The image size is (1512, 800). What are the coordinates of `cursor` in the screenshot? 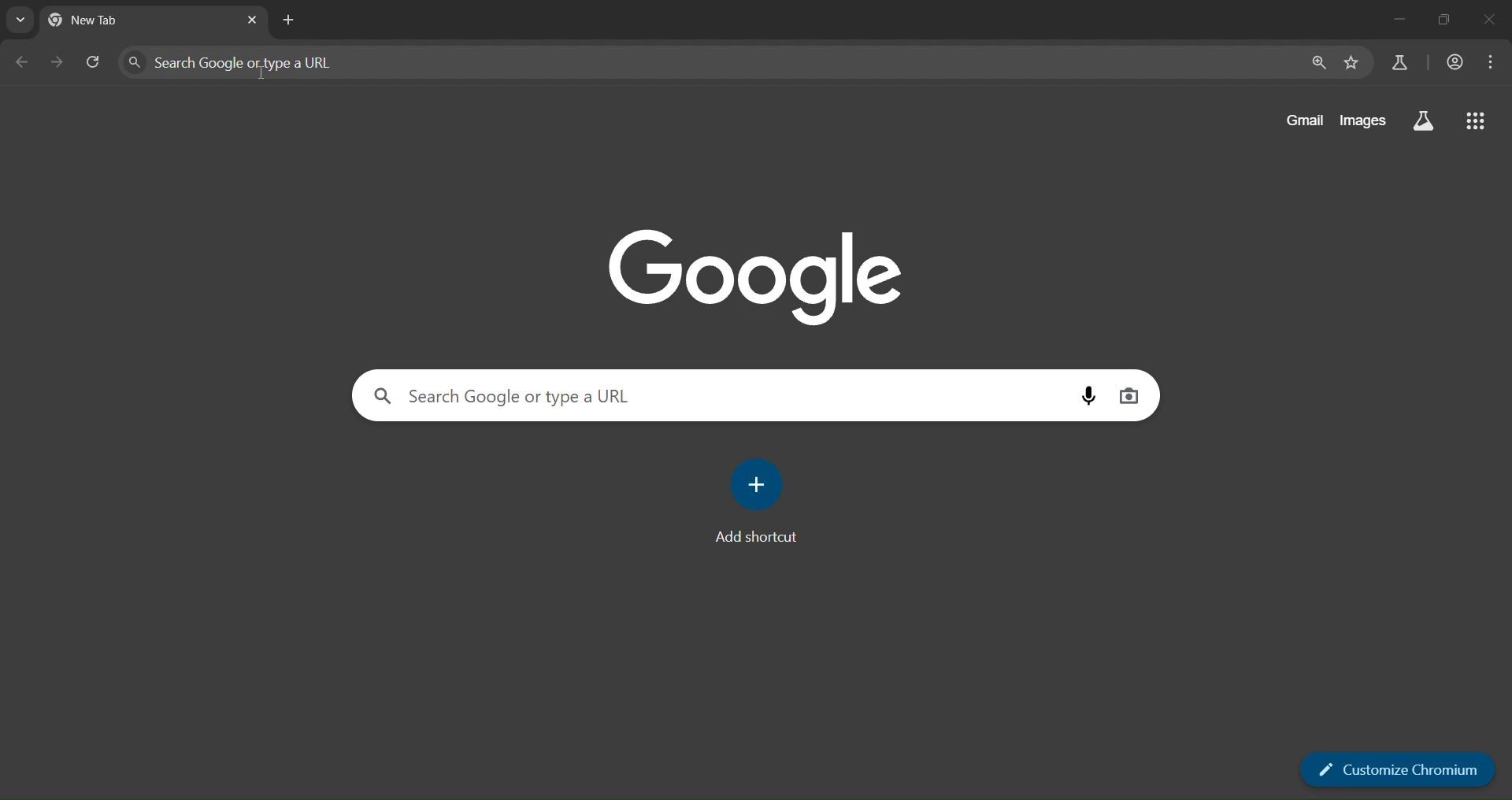 It's located at (261, 74).